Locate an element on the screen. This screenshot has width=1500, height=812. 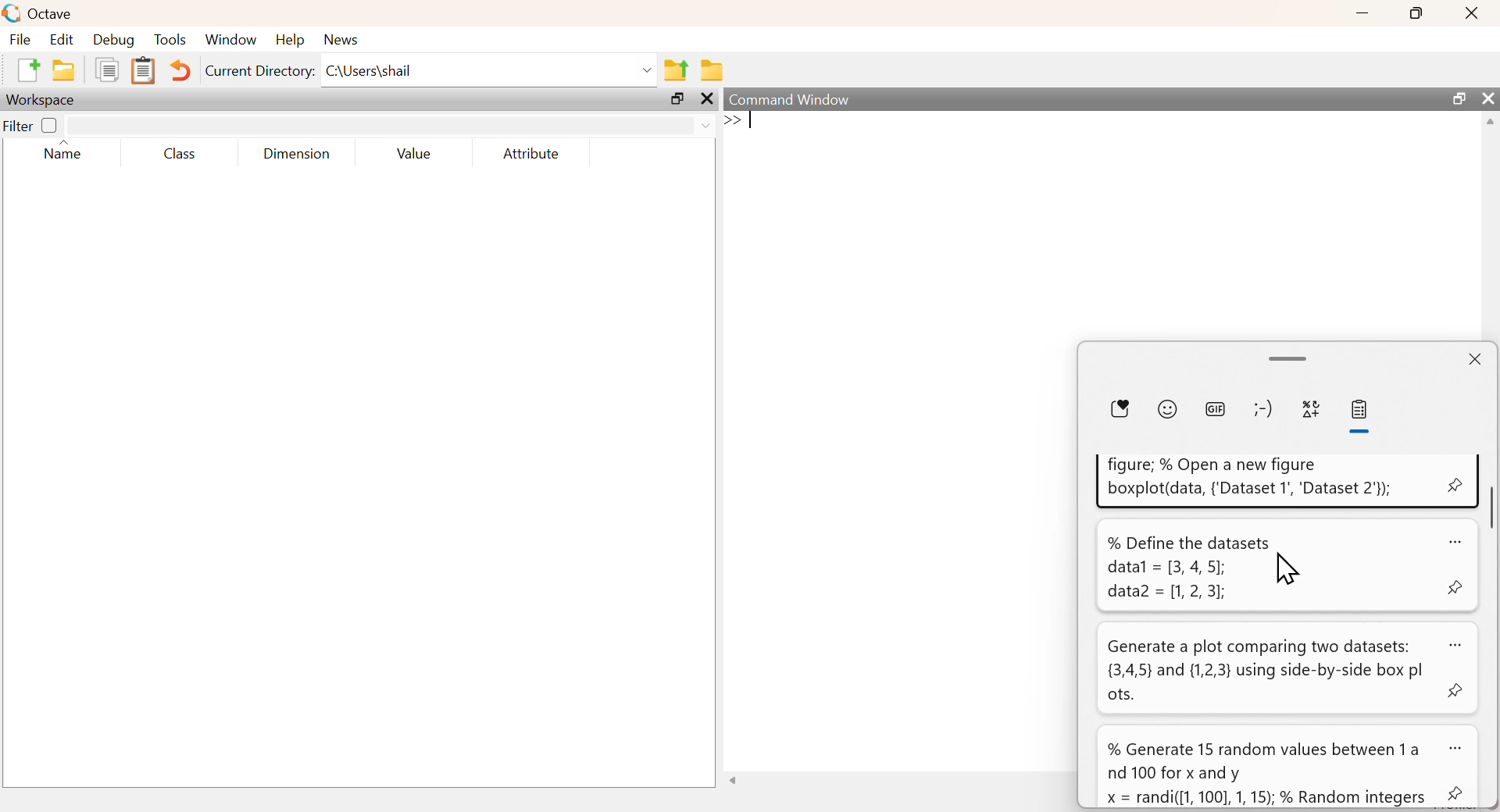
pin is located at coordinates (1458, 795).